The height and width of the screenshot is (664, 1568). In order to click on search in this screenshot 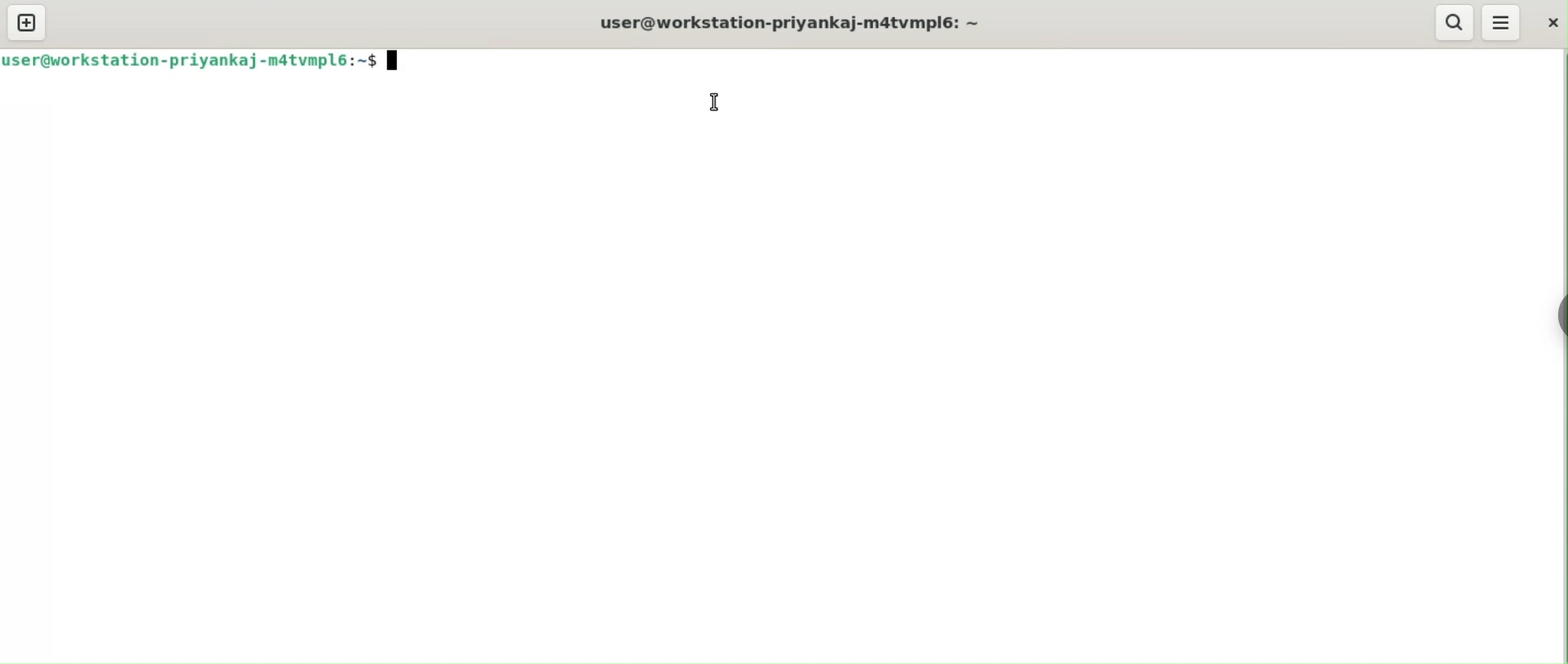, I will do `click(1454, 21)`.